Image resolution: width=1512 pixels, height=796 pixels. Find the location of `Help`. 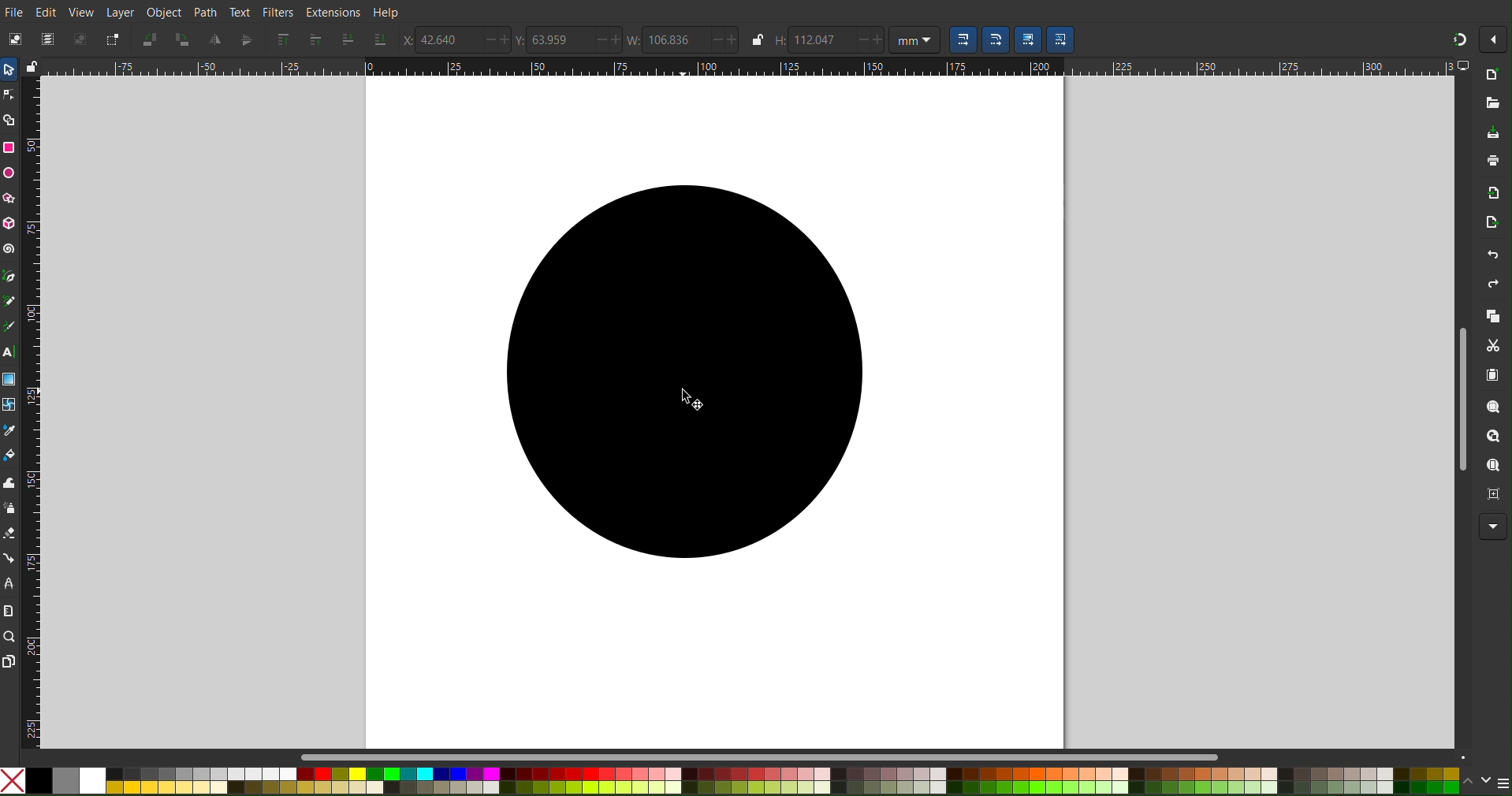

Help is located at coordinates (386, 11).